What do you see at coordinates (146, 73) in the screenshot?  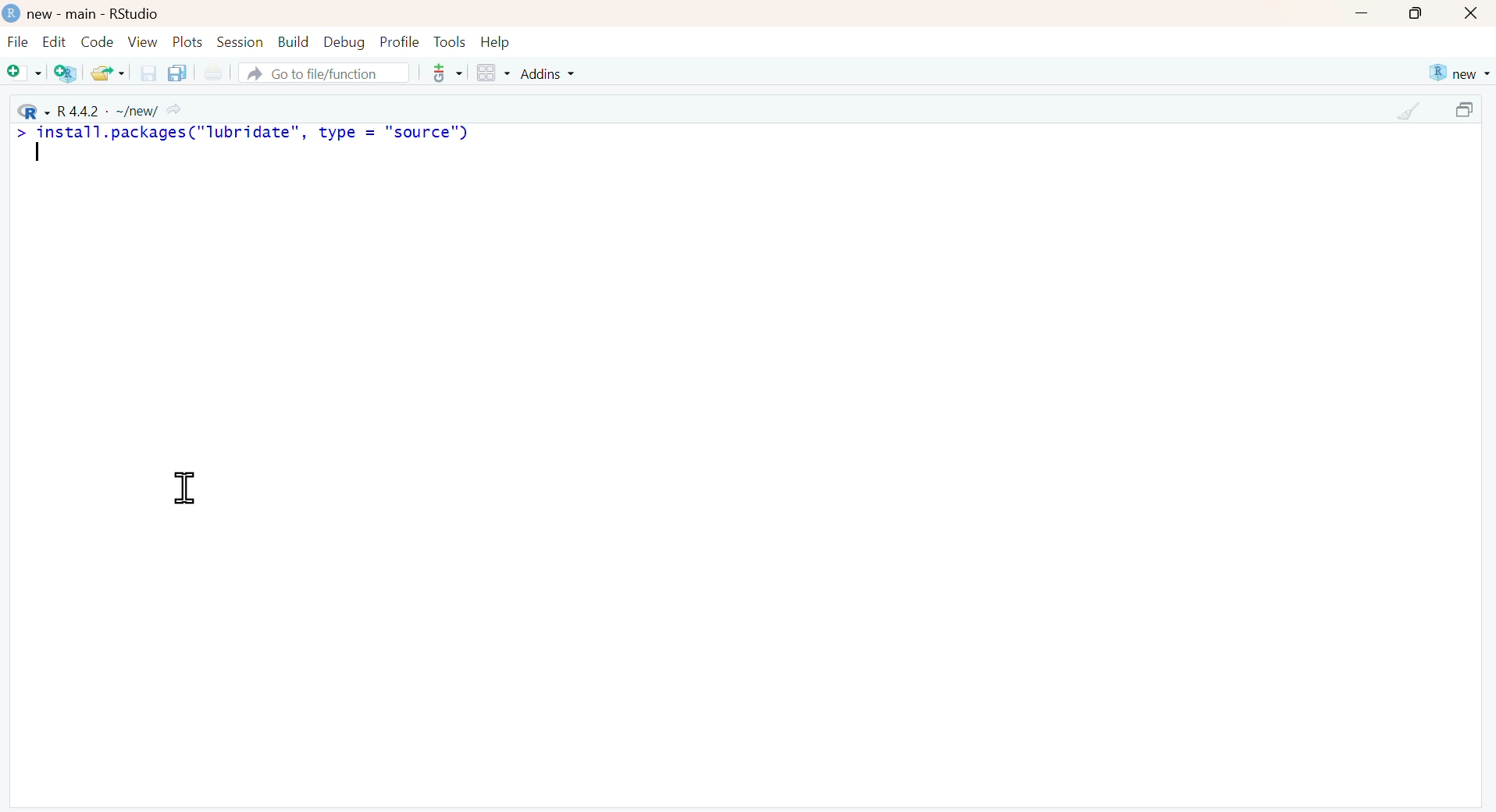 I see `save the current document` at bounding box center [146, 73].